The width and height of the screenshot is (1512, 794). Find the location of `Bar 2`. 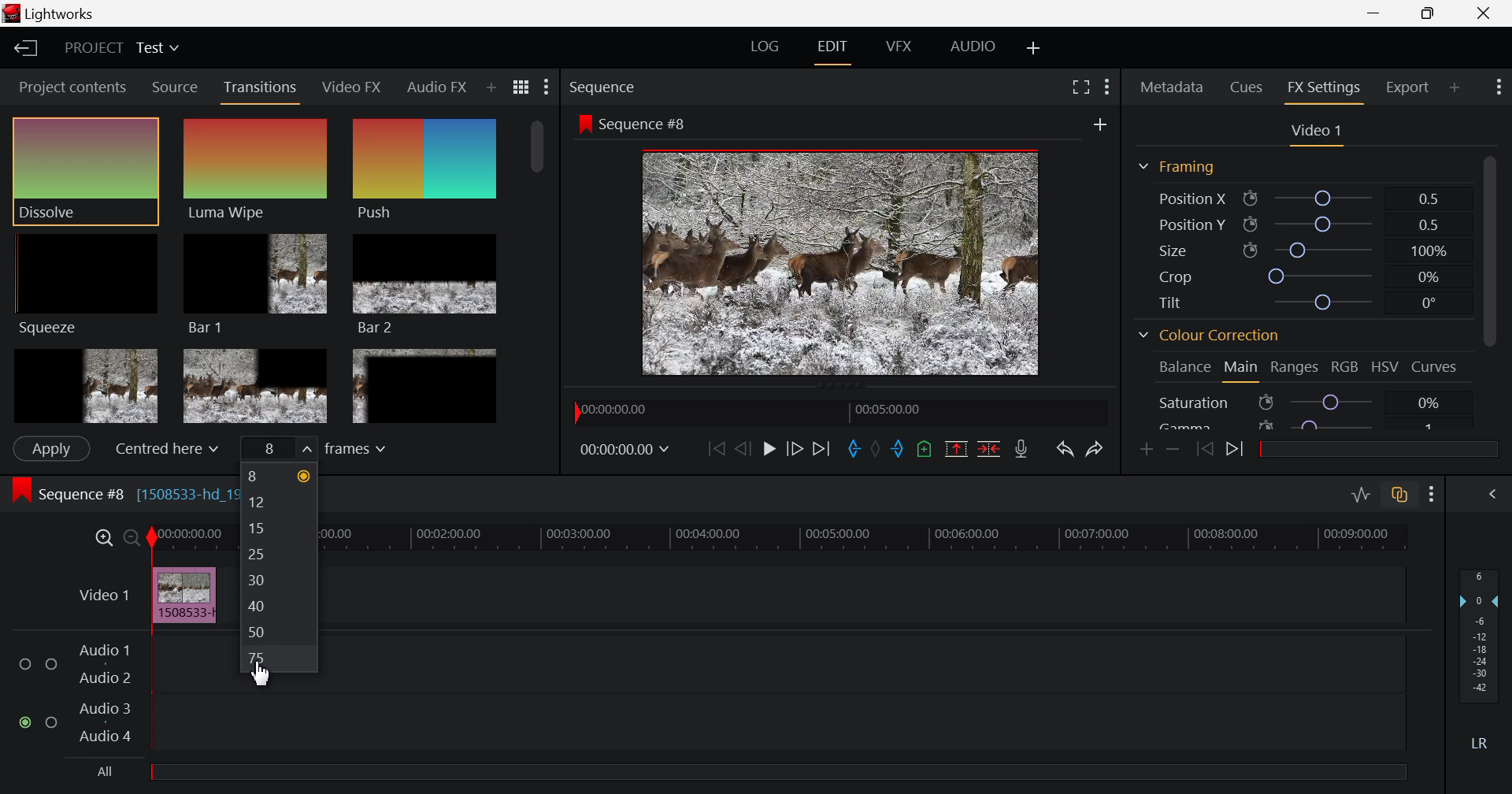

Bar 2 is located at coordinates (427, 284).